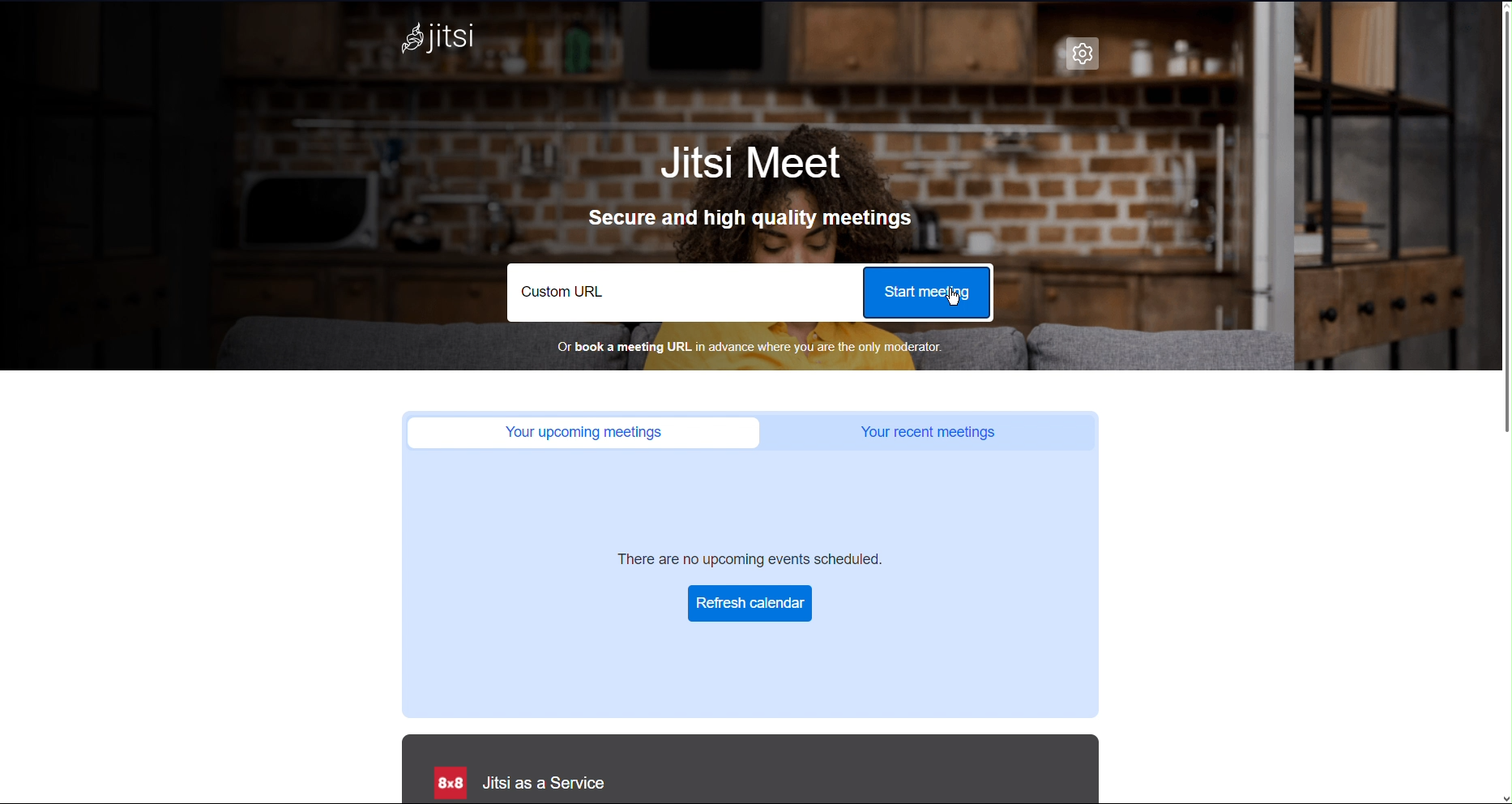 The height and width of the screenshot is (804, 1512). I want to click on Custom URL, so click(564, 293).